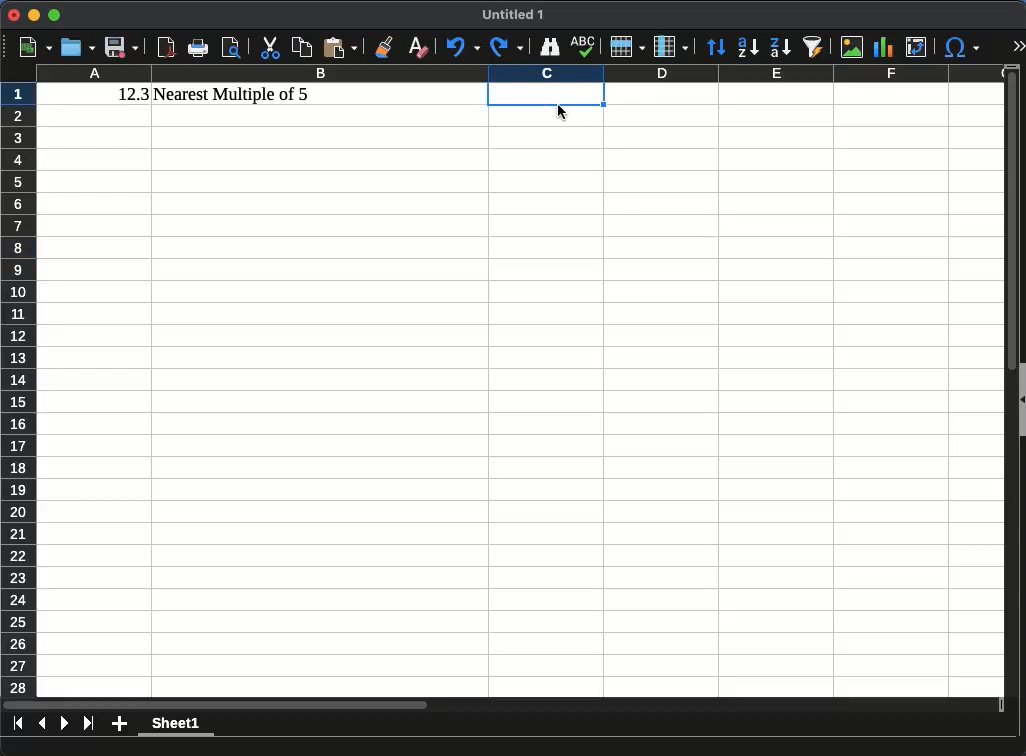 The width and height of the screenshot is (1026, 756). I want to click on special character, so click(961, 47).